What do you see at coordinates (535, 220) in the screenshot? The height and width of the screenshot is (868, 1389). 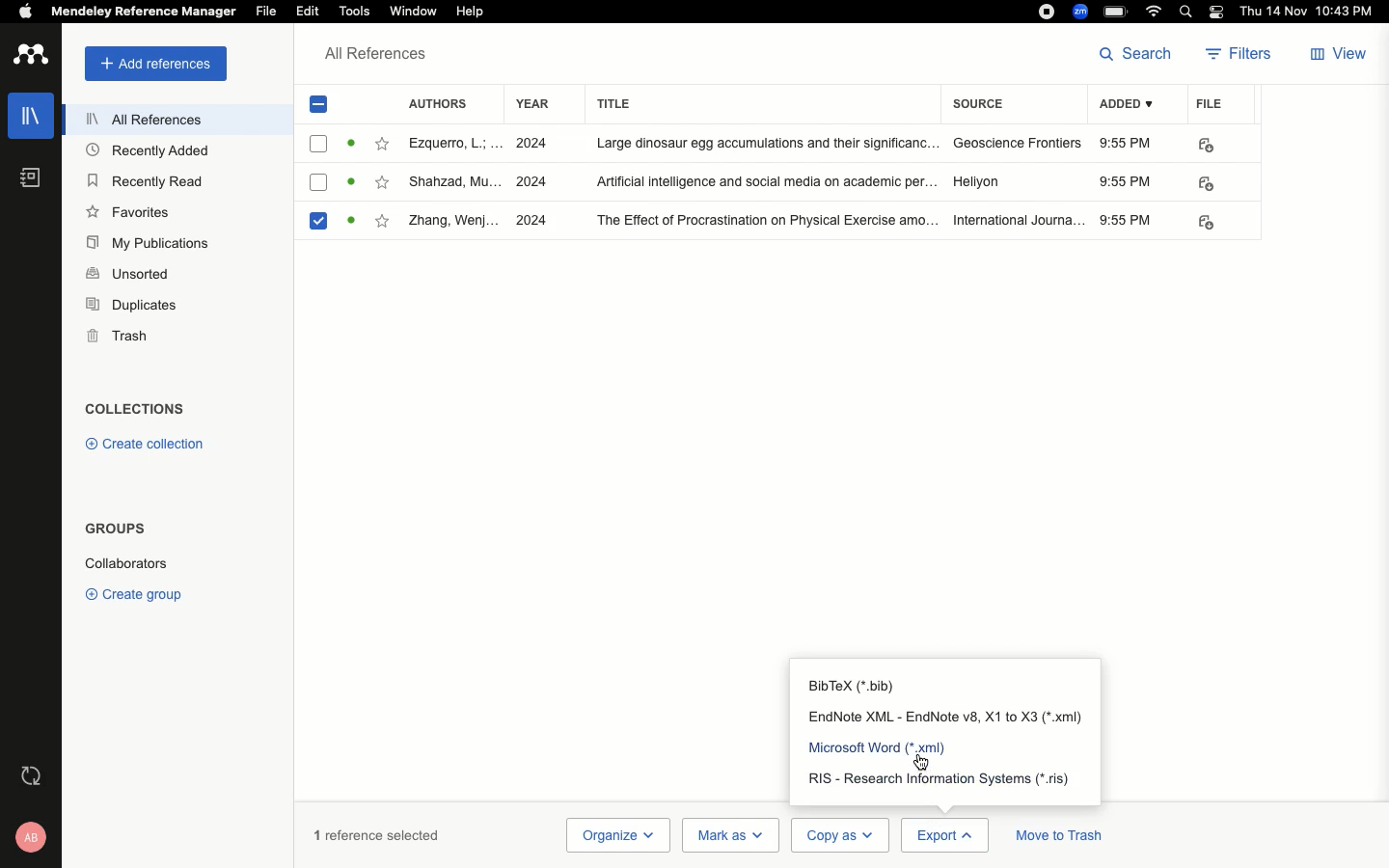 I see `2024` at bounding box center [535, 220].